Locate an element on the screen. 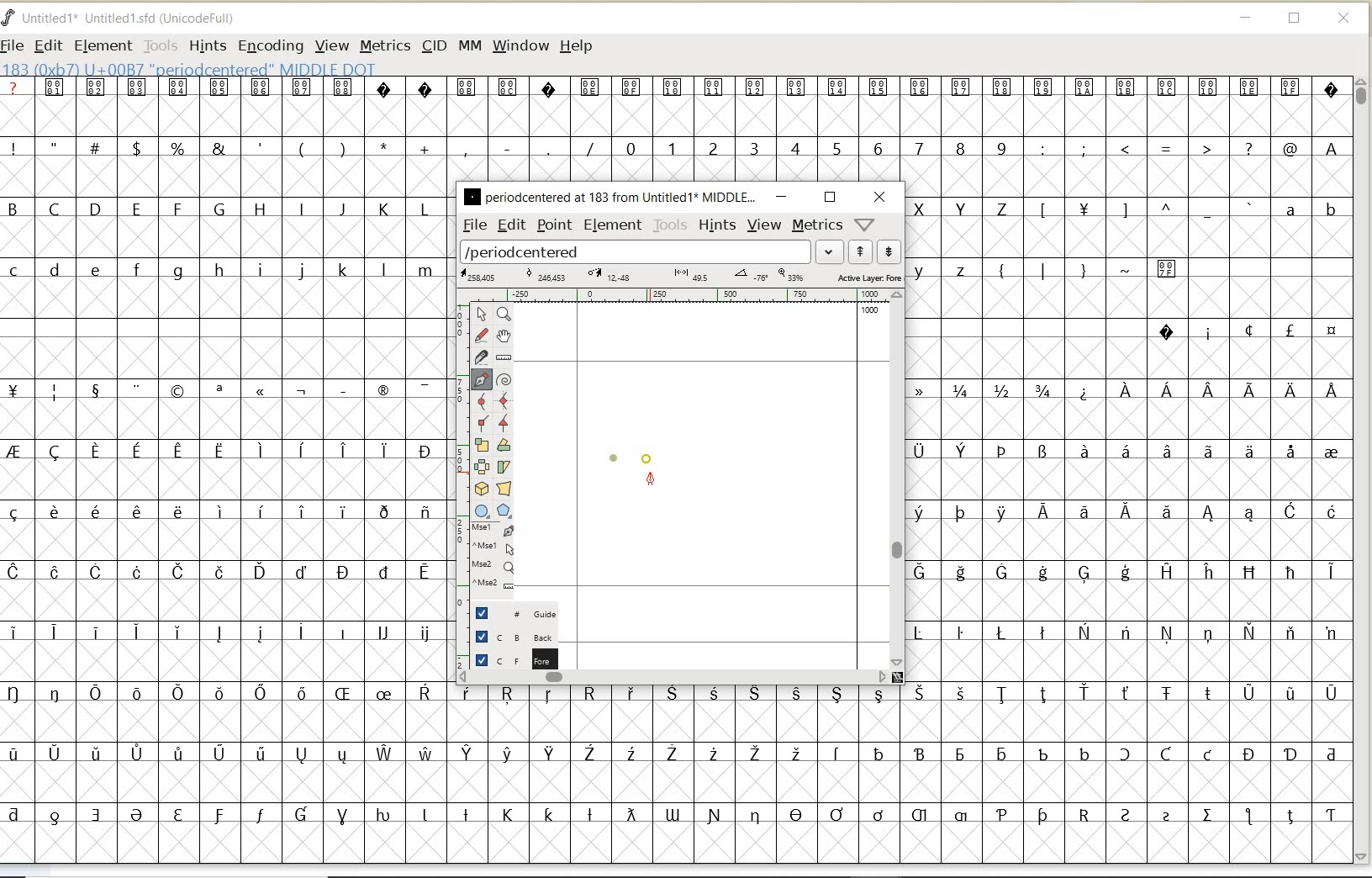 The height and width of the screenshot is (878, 1372). FONT NAME is located at coordinates (131, 19).